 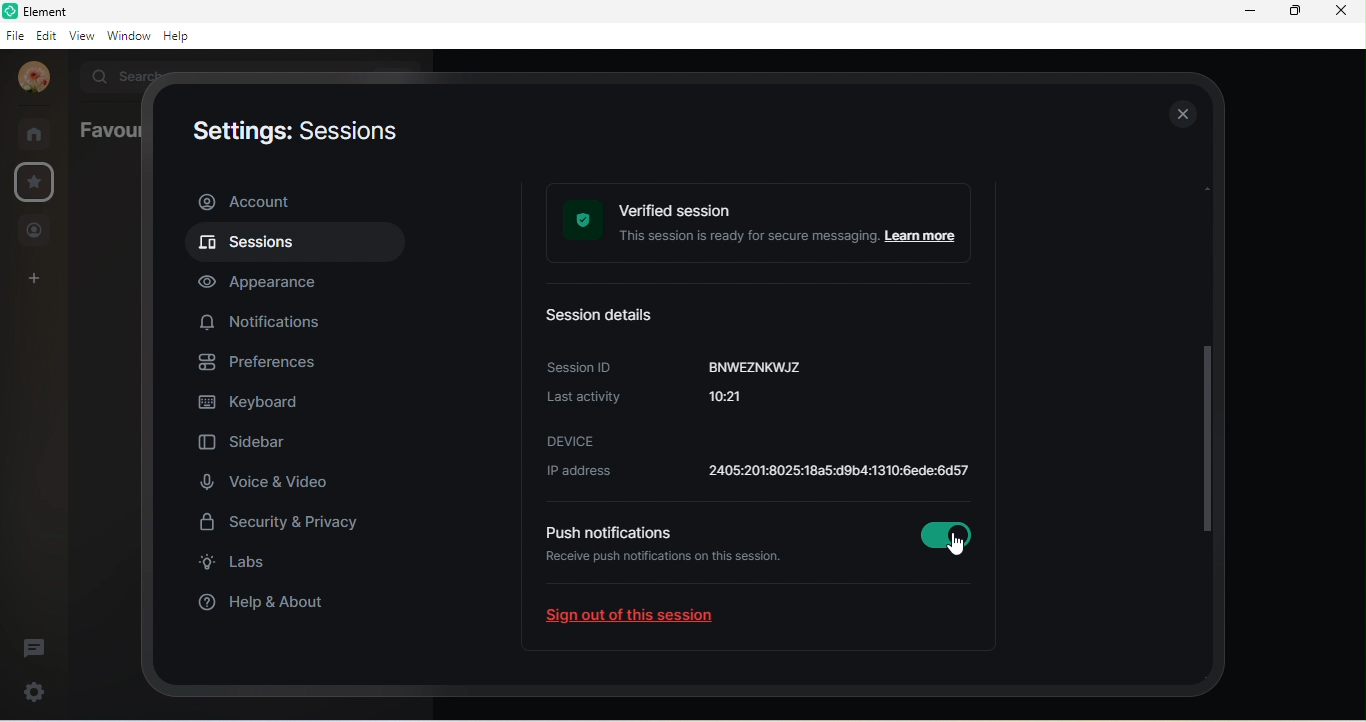 What do you see at coordinates (291, 245) in the screenshot?
I see `sessions` at bounding box center [291, 245].